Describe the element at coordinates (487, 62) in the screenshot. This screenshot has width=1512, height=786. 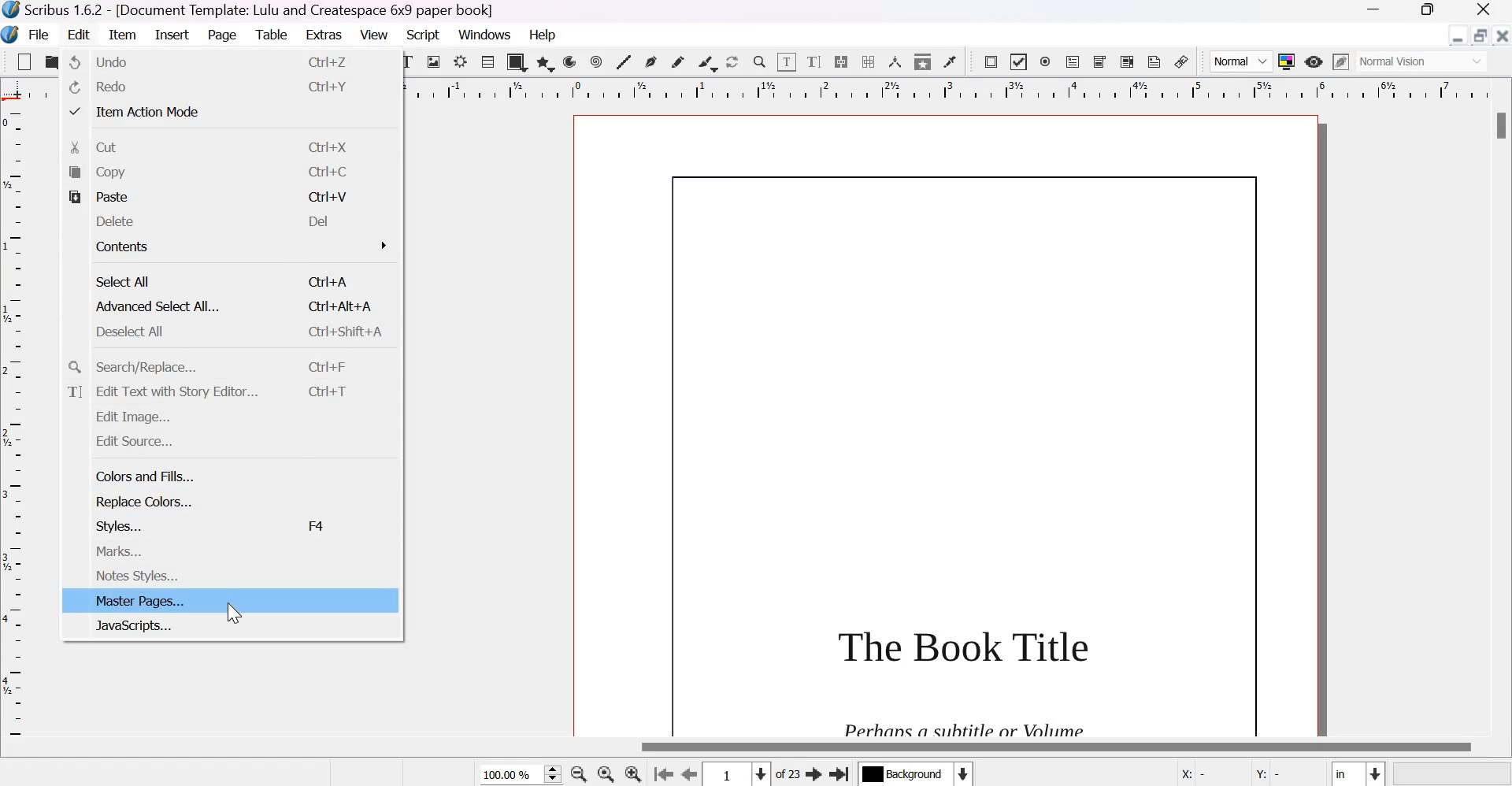
I see `Table` at that location.